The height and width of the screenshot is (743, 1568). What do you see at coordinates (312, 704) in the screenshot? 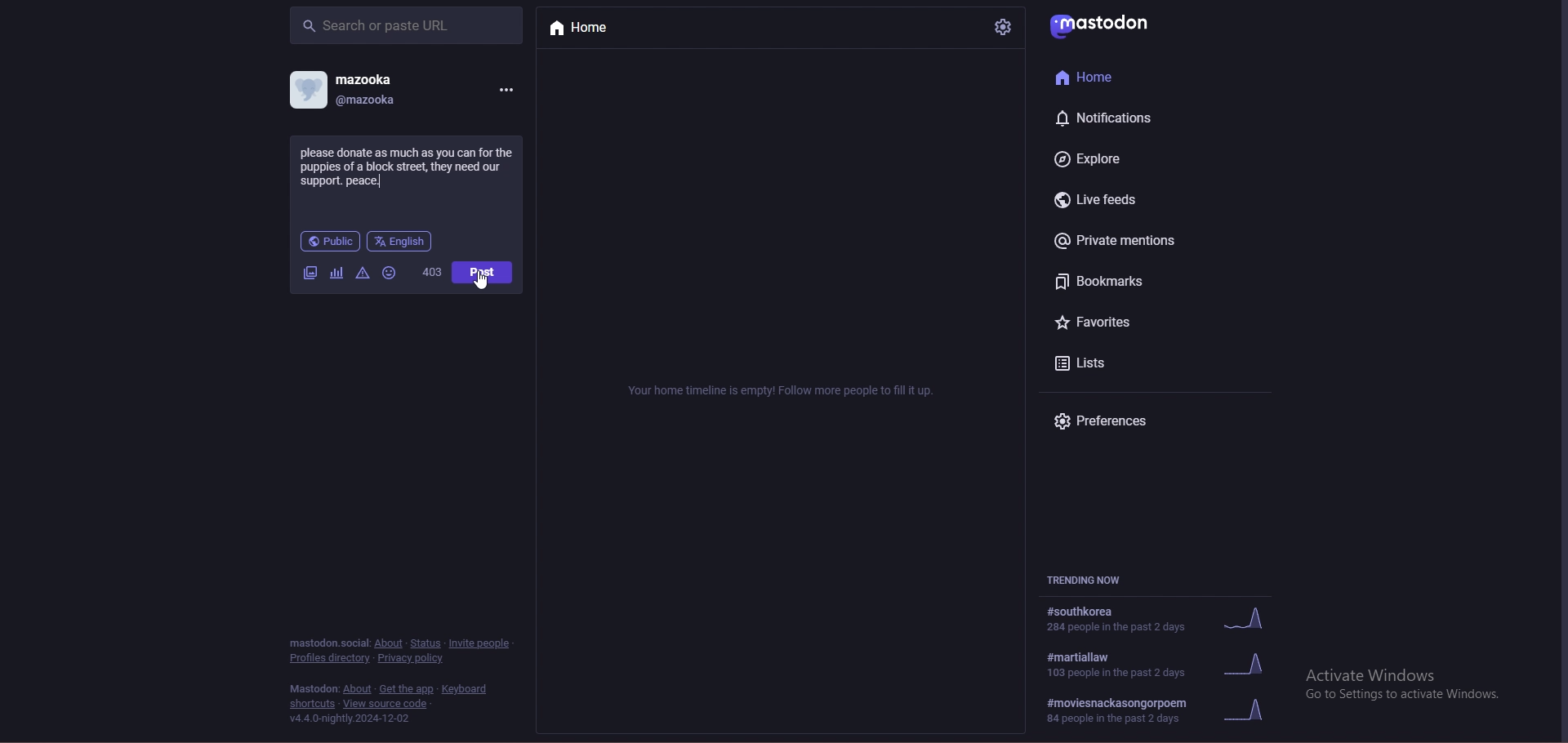
I see `shortcuts` at bounding box center [312, 704].